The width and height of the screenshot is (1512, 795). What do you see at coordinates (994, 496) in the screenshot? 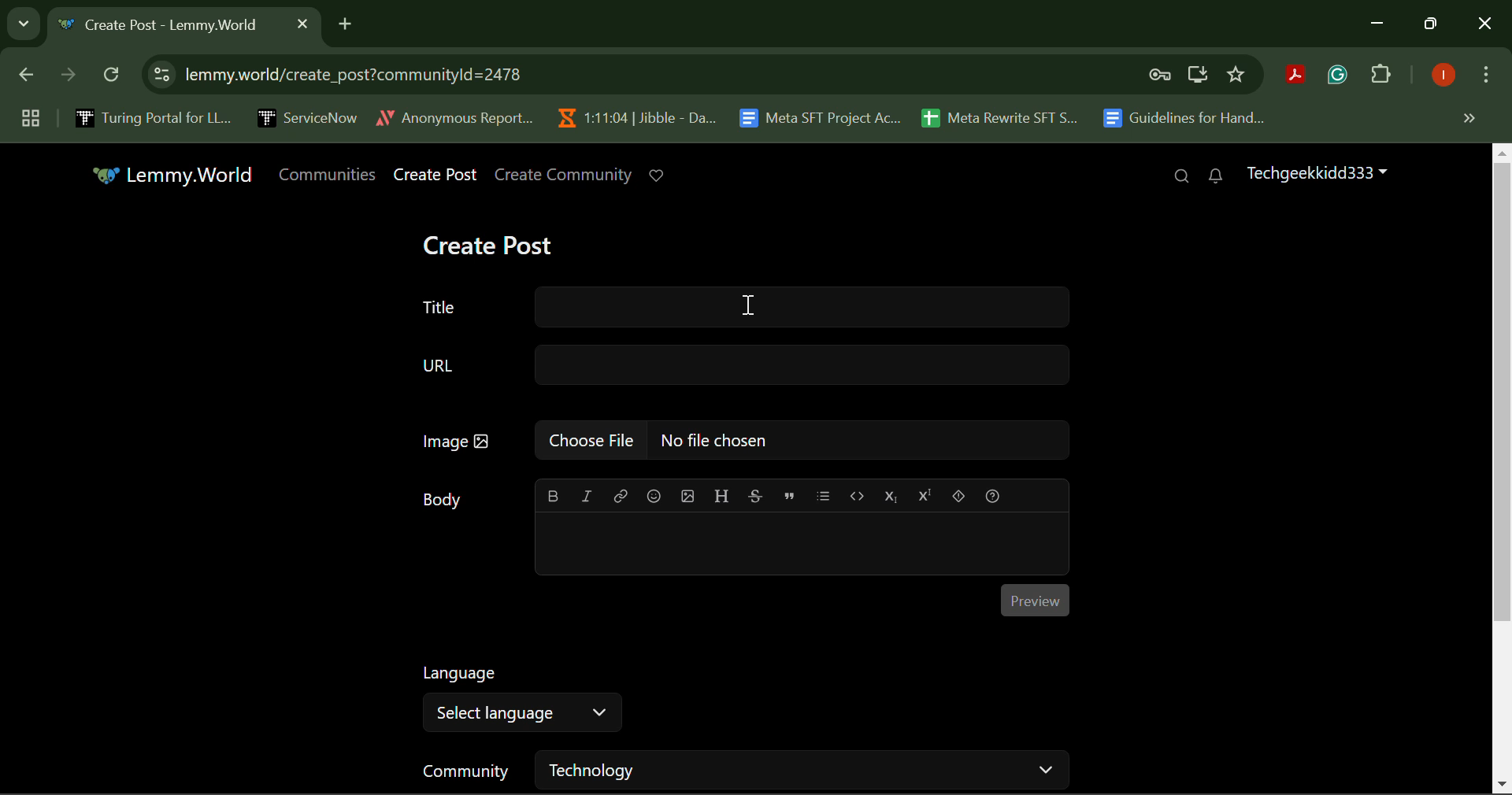
I see `formatting help` at bounding box center [994, 496].